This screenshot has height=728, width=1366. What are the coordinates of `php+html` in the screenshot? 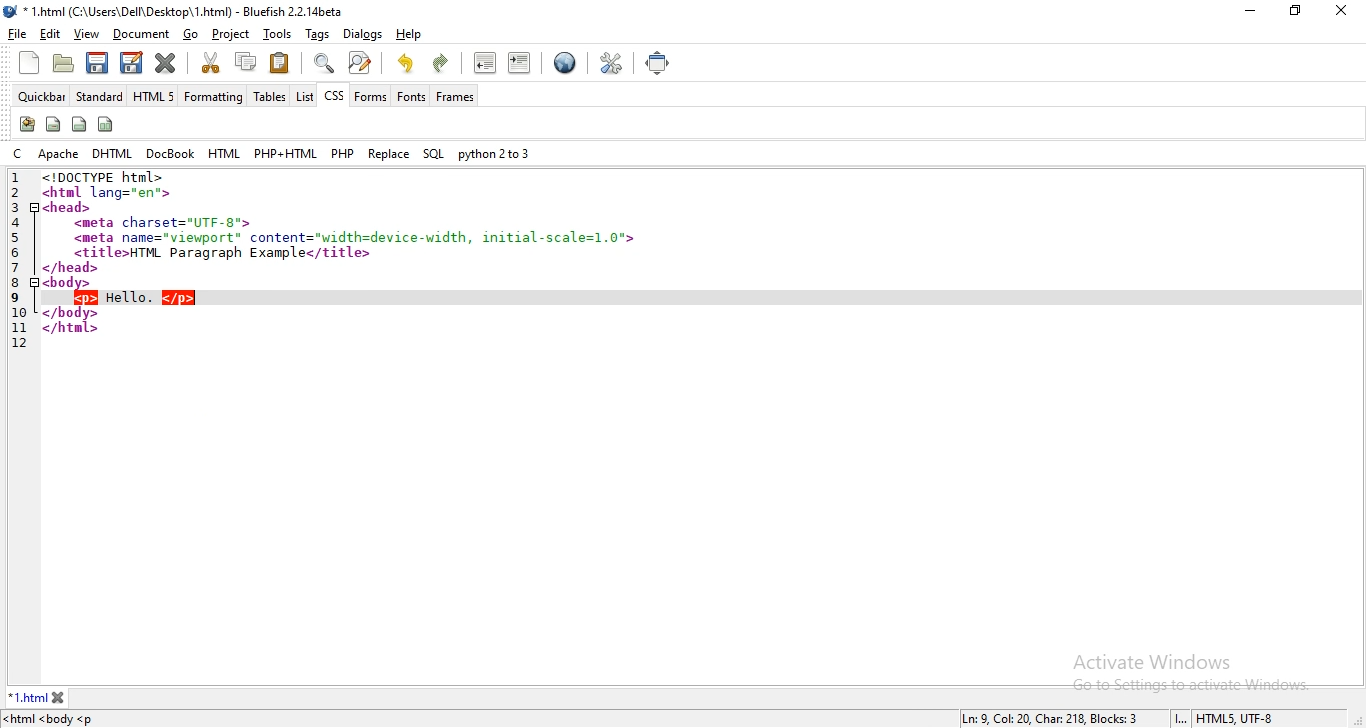 It's located at (284, 152).